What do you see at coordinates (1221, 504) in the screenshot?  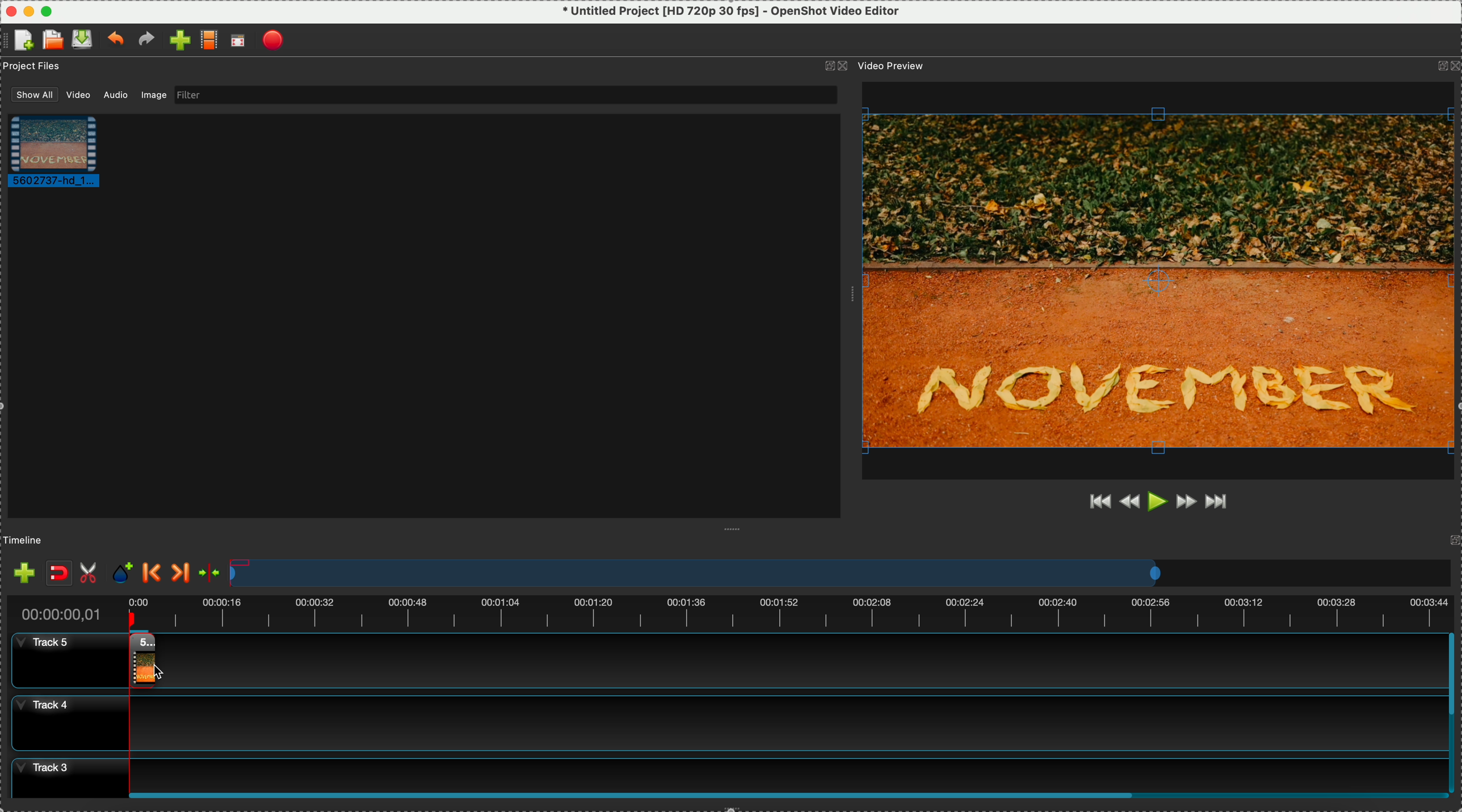 I see `jump to end` at bounding box center [1221, 504].